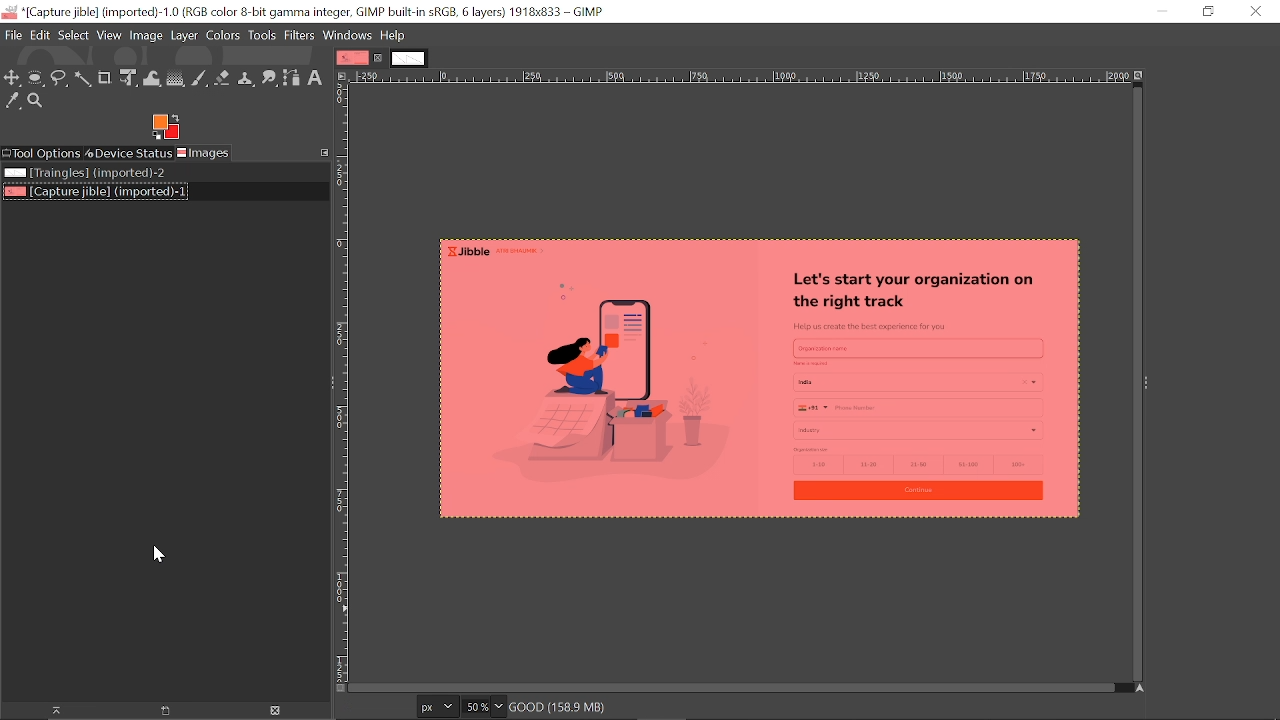  I want to click on Open new display for the image, so click(158, 710).